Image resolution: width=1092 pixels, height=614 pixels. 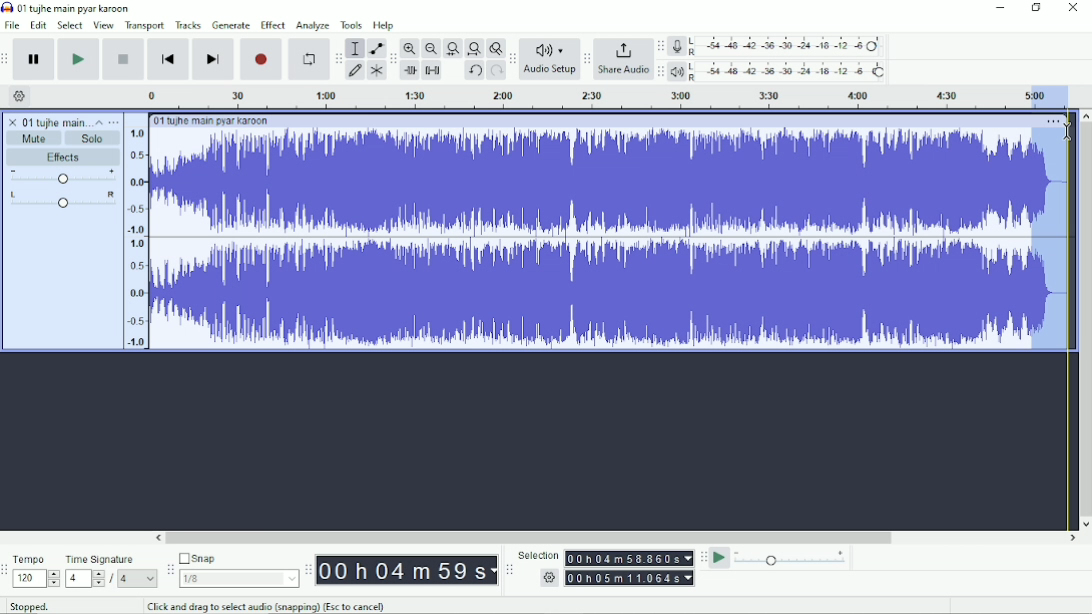 What do you see at coordinates (376, 49) in the screenshot?
I see `Envelope tool` at bounding box center [376, 49].